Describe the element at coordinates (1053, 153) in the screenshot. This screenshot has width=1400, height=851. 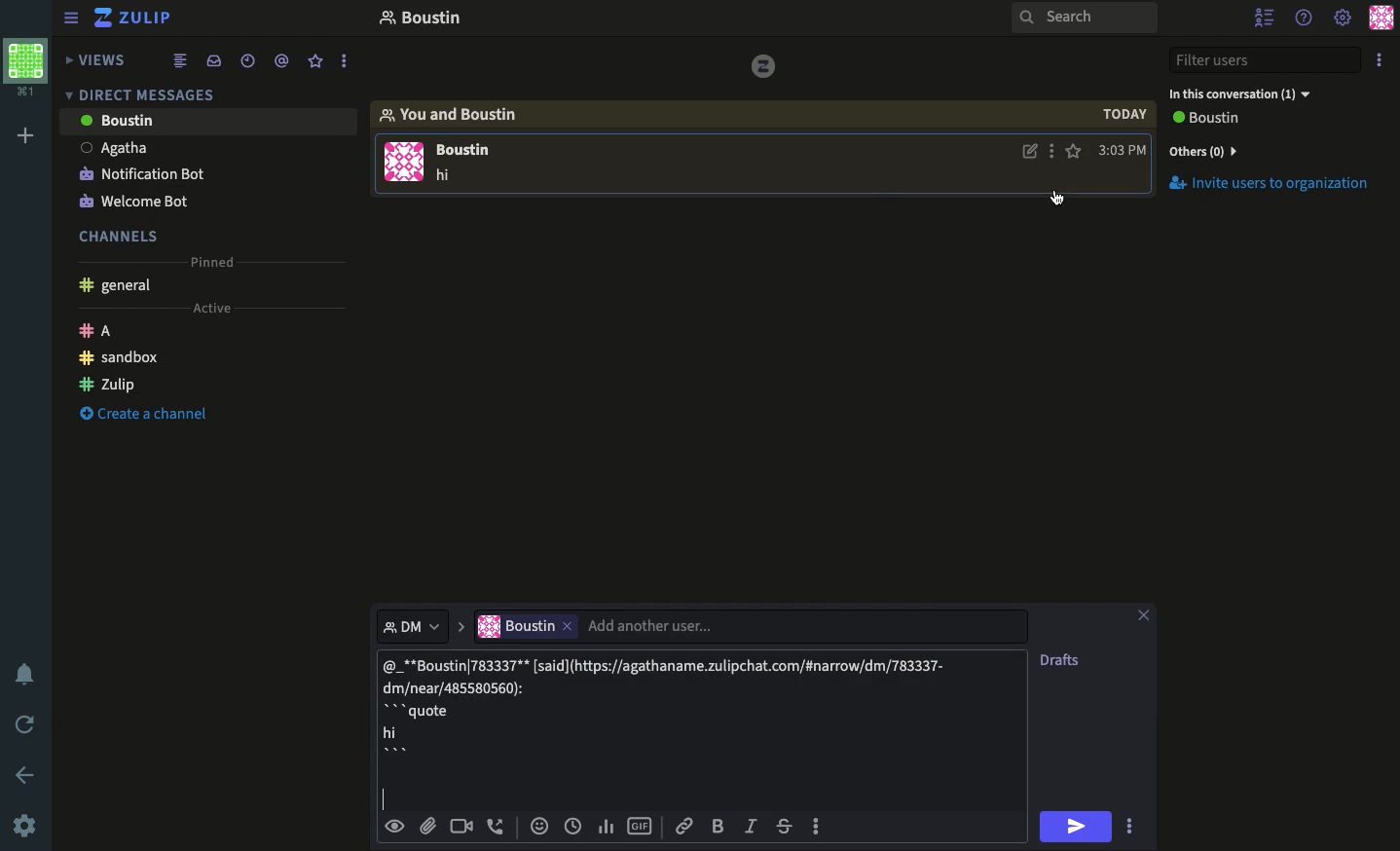
I see `Options` at that location.